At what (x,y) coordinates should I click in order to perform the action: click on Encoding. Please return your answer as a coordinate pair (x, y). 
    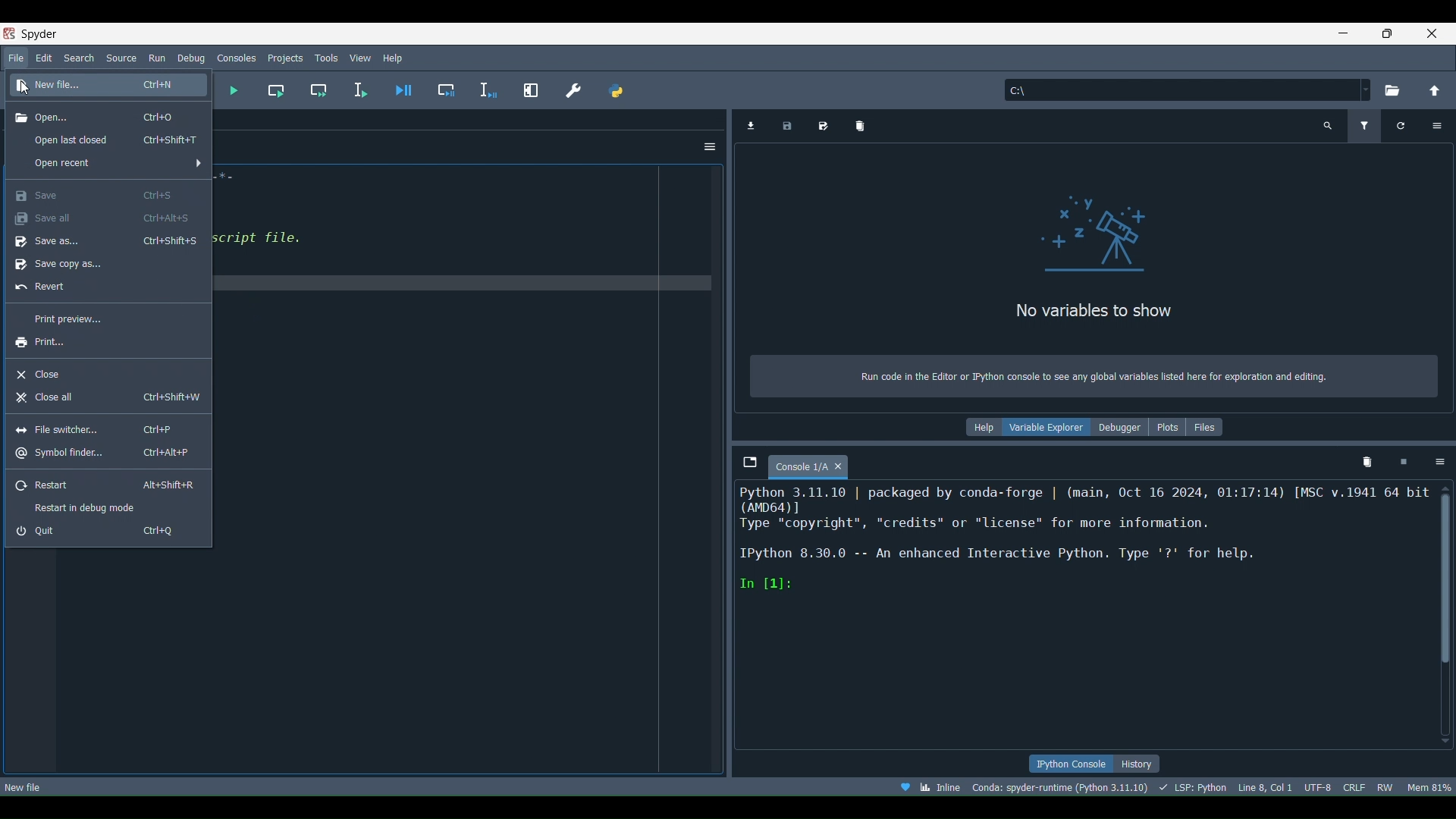
    Looking at the image, I should click on (1318, 786).